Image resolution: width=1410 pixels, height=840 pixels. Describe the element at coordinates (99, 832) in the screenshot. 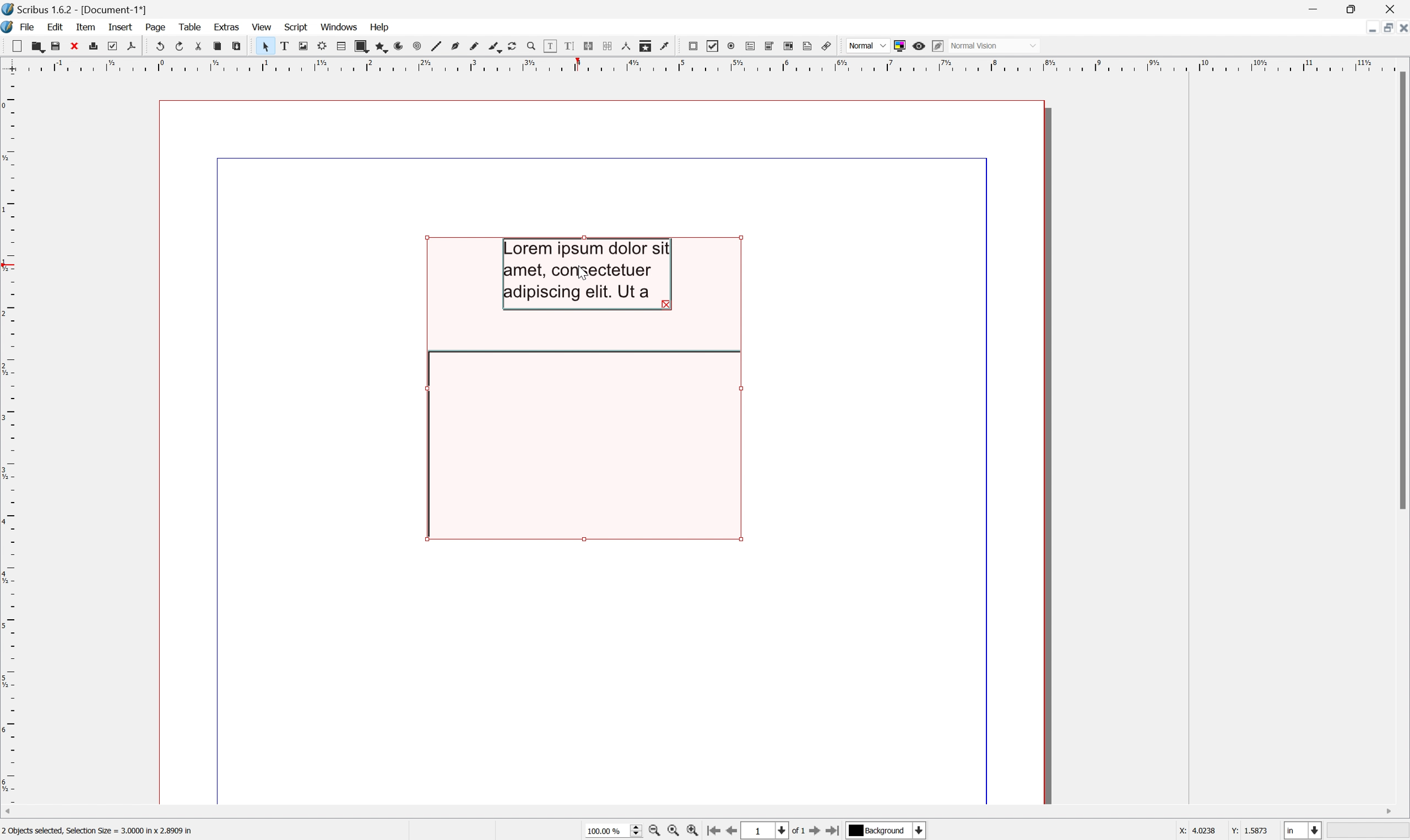

I see `2 Objects selected, Selection Size = 3.000 in × 2.8909 in` at that location.